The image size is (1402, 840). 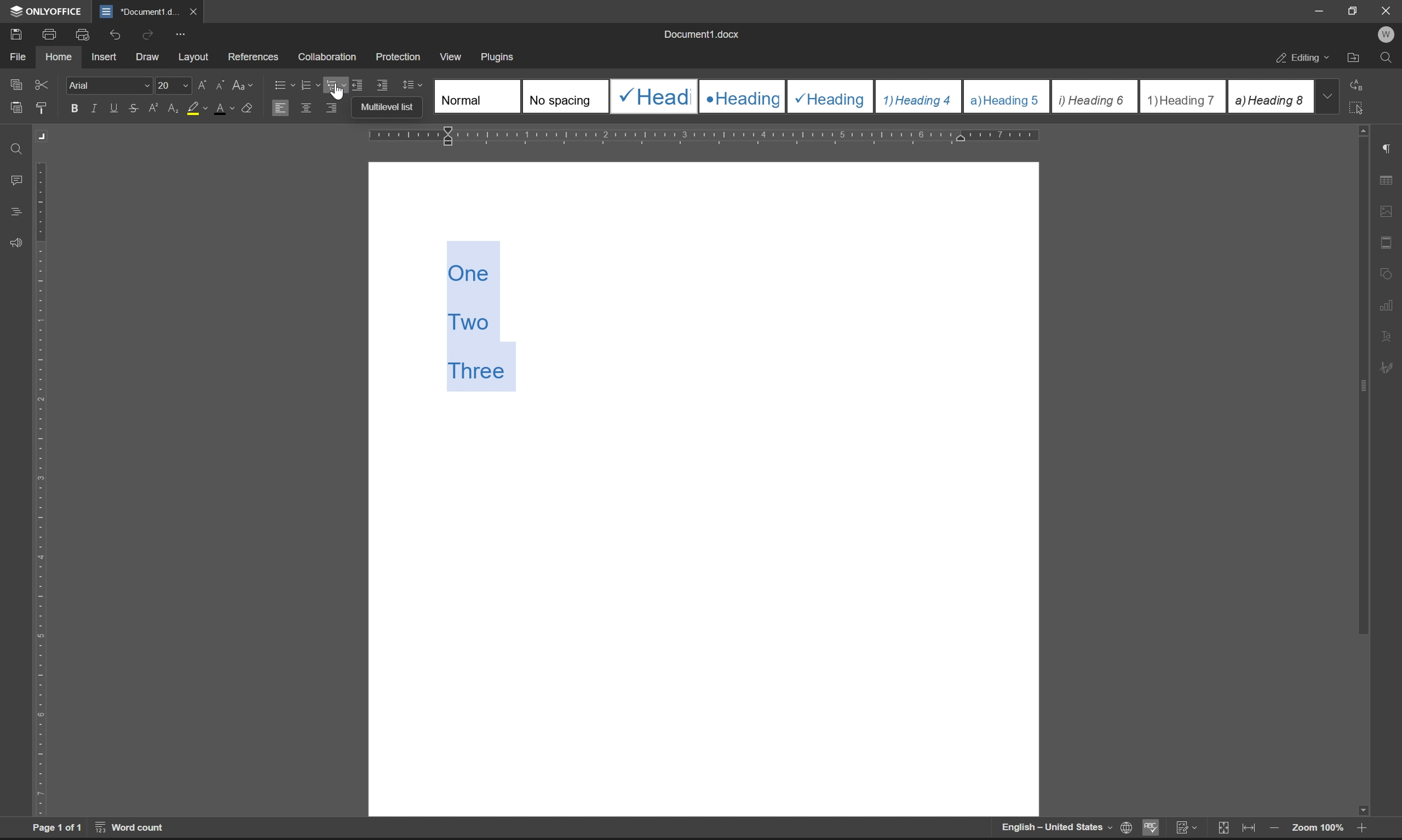 I want to click on Heading 2, so click(x=742, y=97).